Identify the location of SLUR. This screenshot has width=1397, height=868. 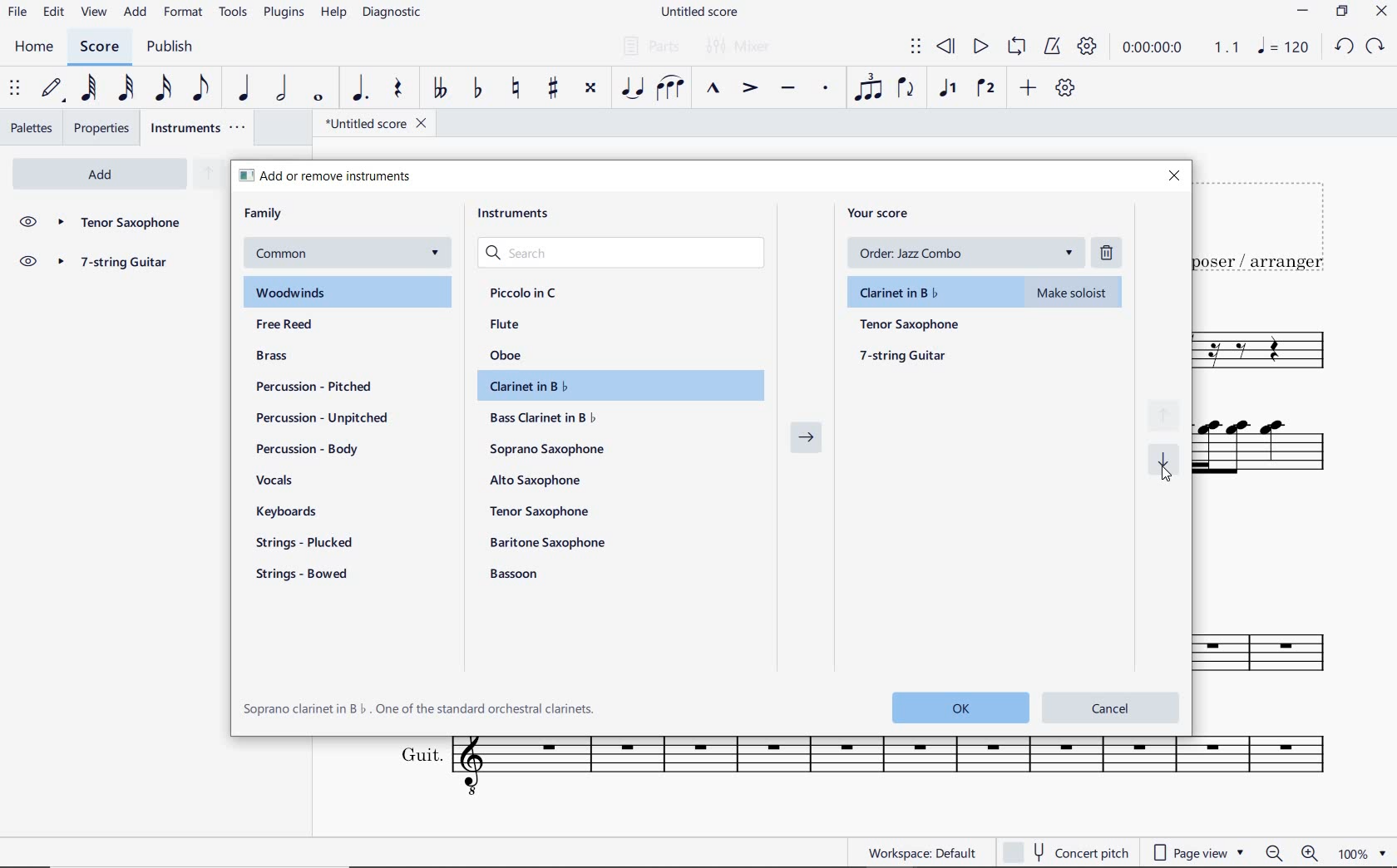
(671, 89).